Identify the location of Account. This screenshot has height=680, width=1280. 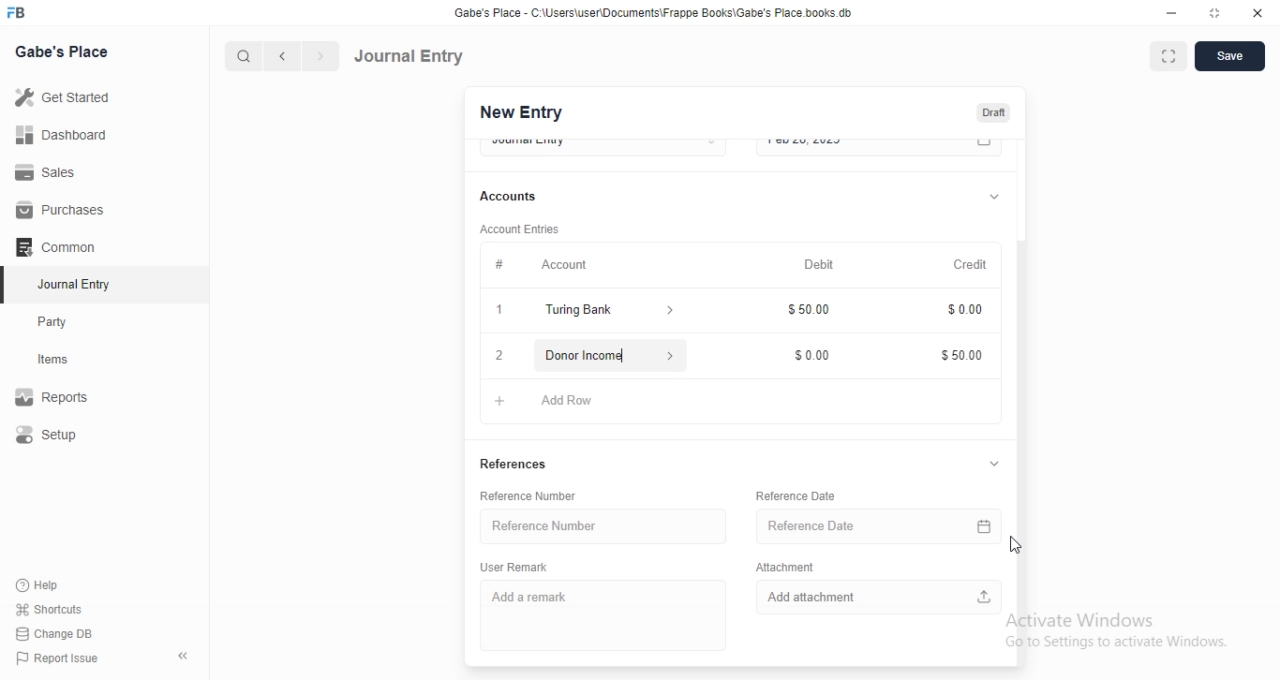
(534, 263).